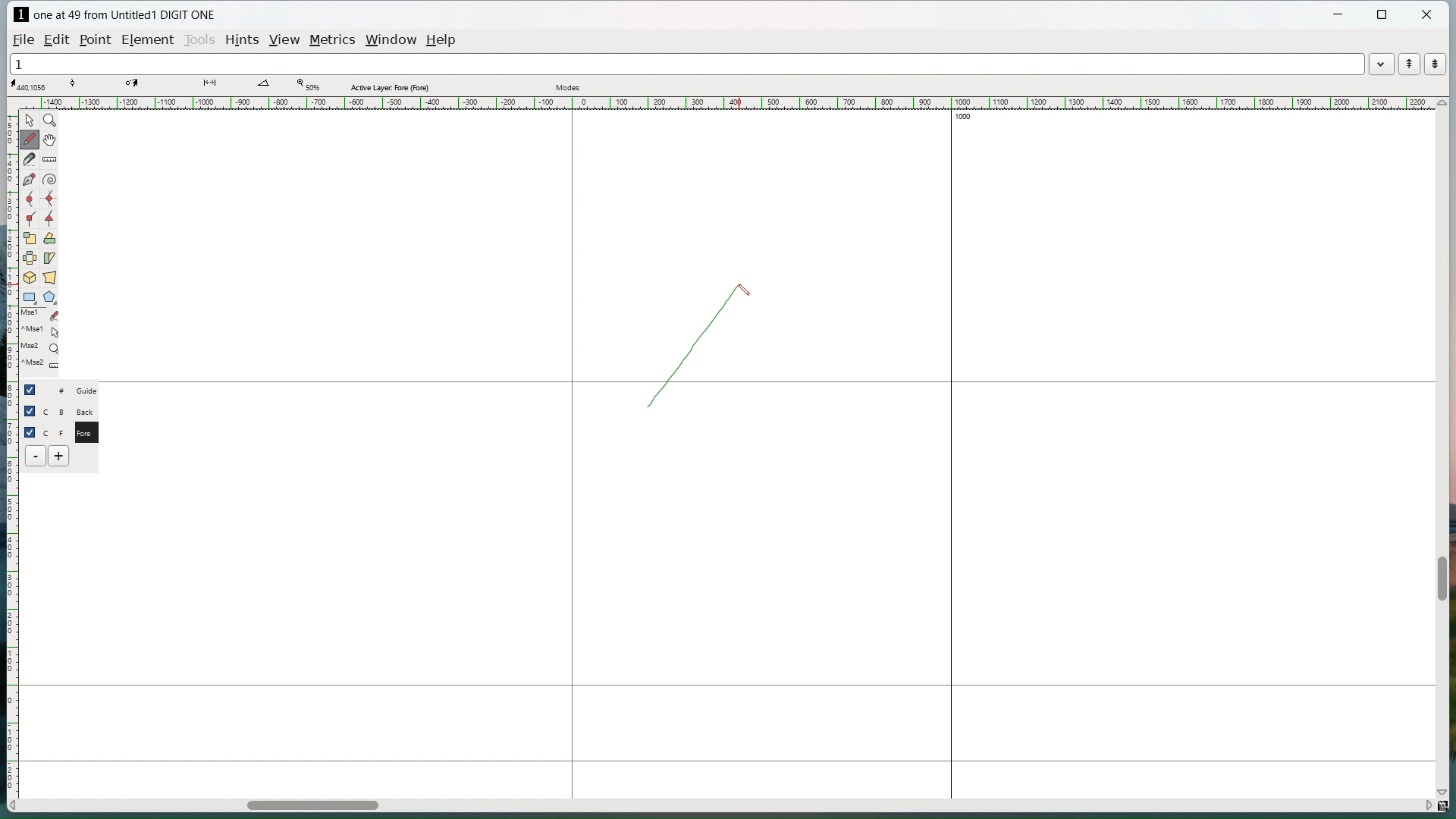  Describe the element at coordinates (286, 40) in the screenshot. I see `view` at that location.